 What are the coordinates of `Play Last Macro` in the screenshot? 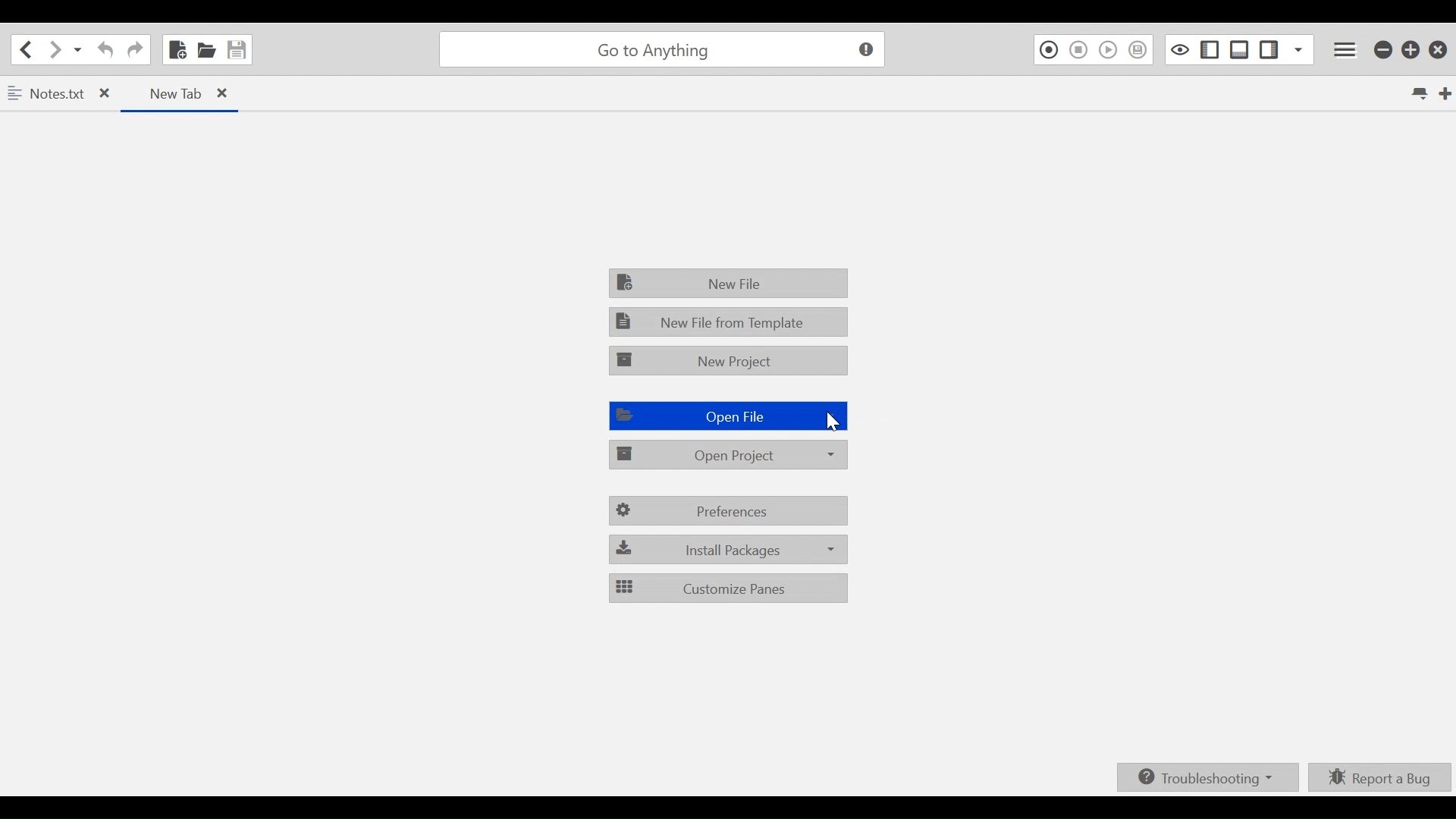 It's located at (1109, 50).